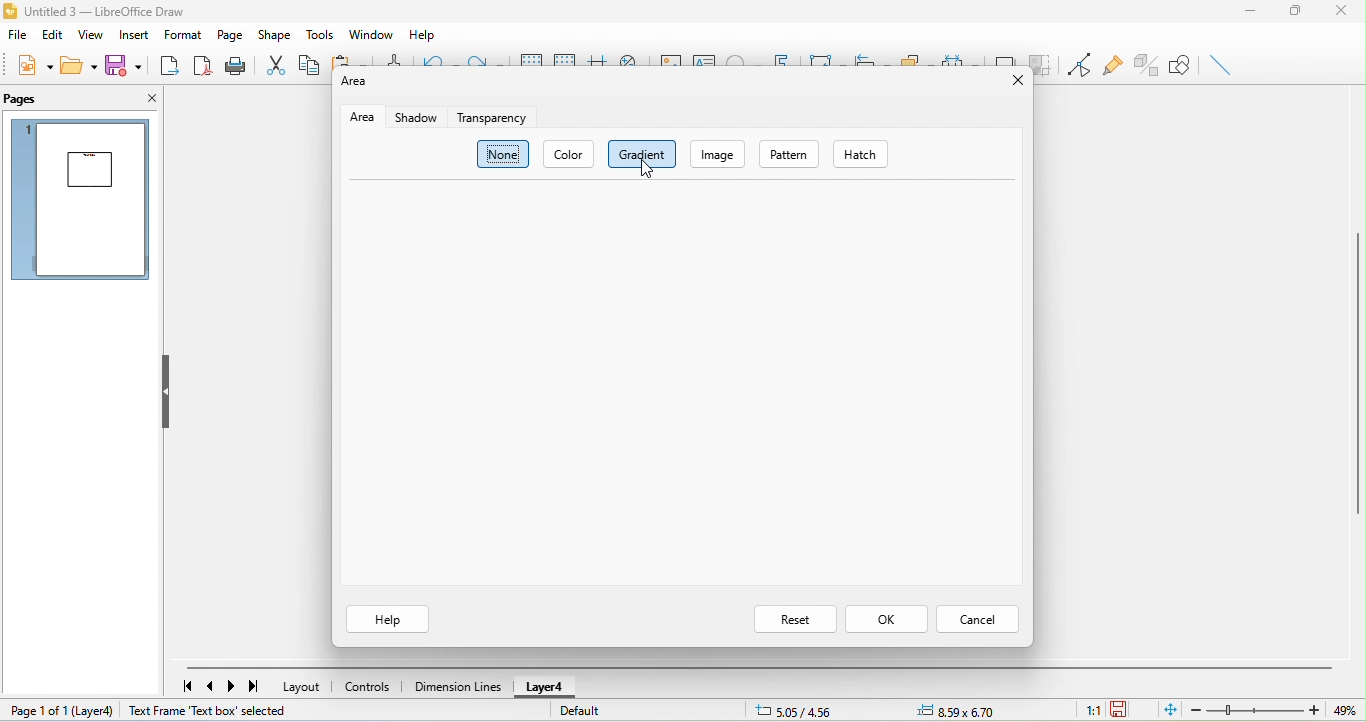 Image resolution: width=1366 pixels, height=722 pixels. What do you see at coordinates (606, 714) in the screenshot?
I see `default` at bounding box center [606, 714].